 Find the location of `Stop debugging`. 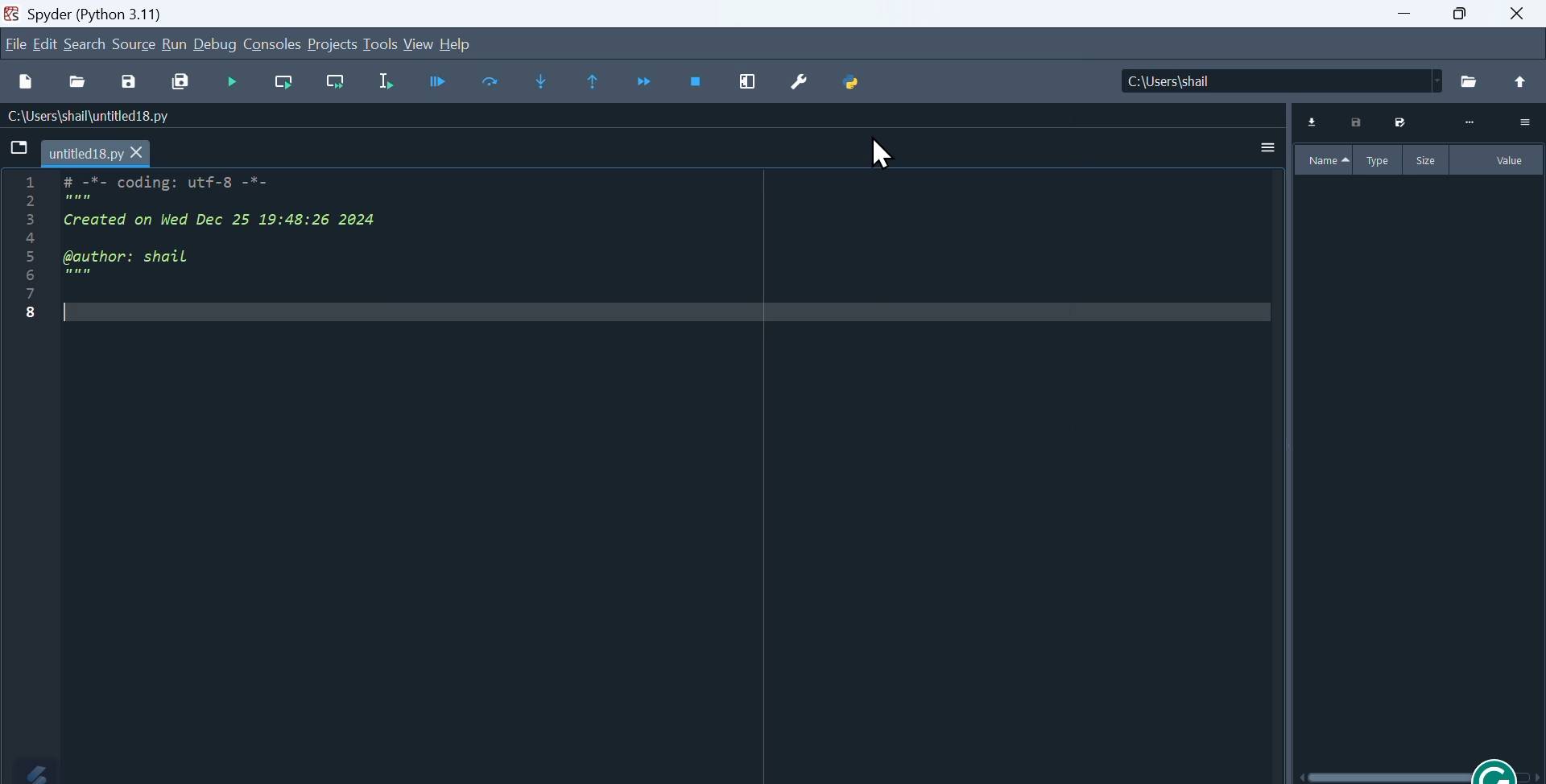

Stop debugging is located at coordinates (698, 81).